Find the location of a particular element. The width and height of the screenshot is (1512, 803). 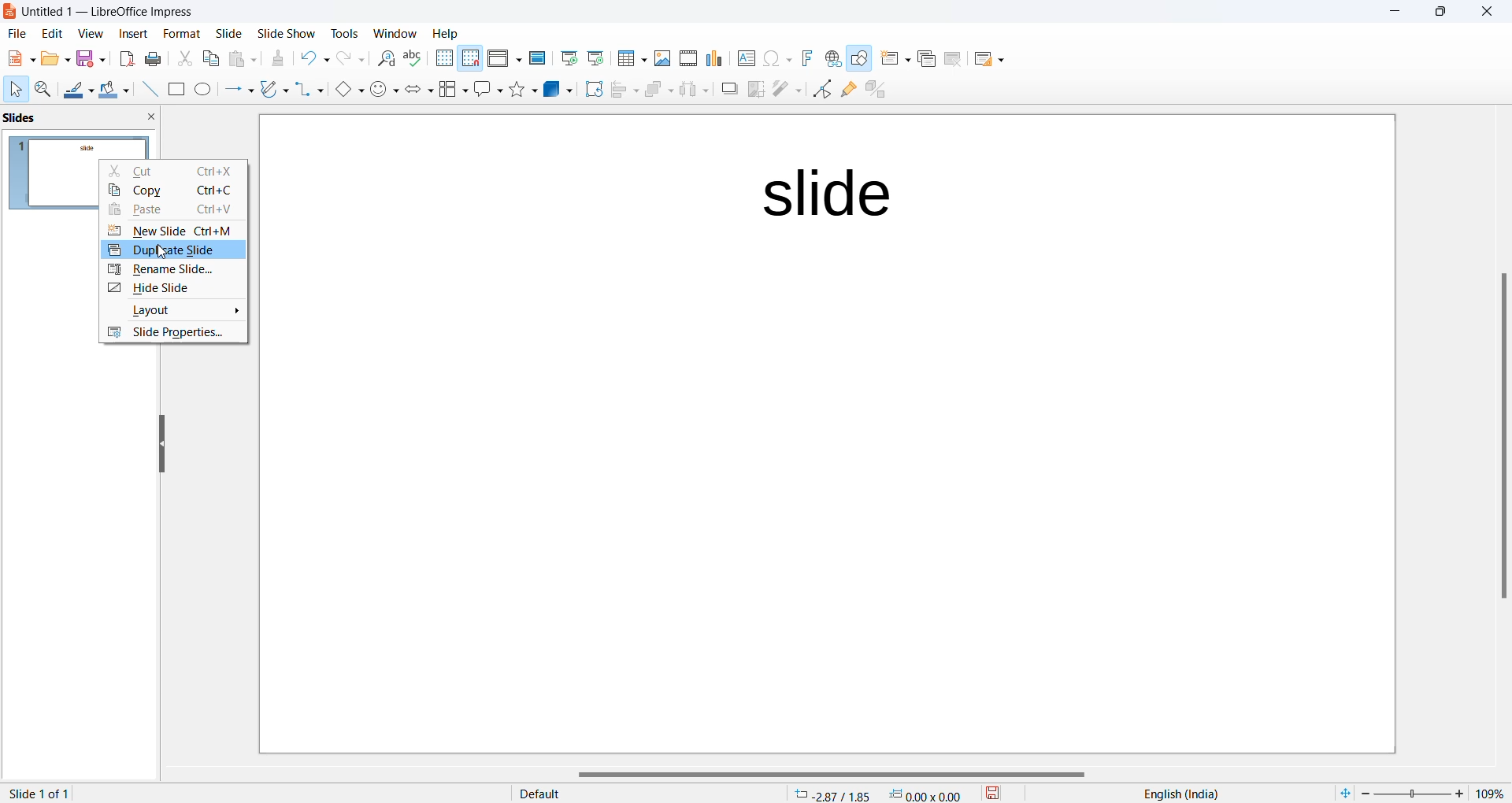

minimize is located at coordinates (1391, 13).